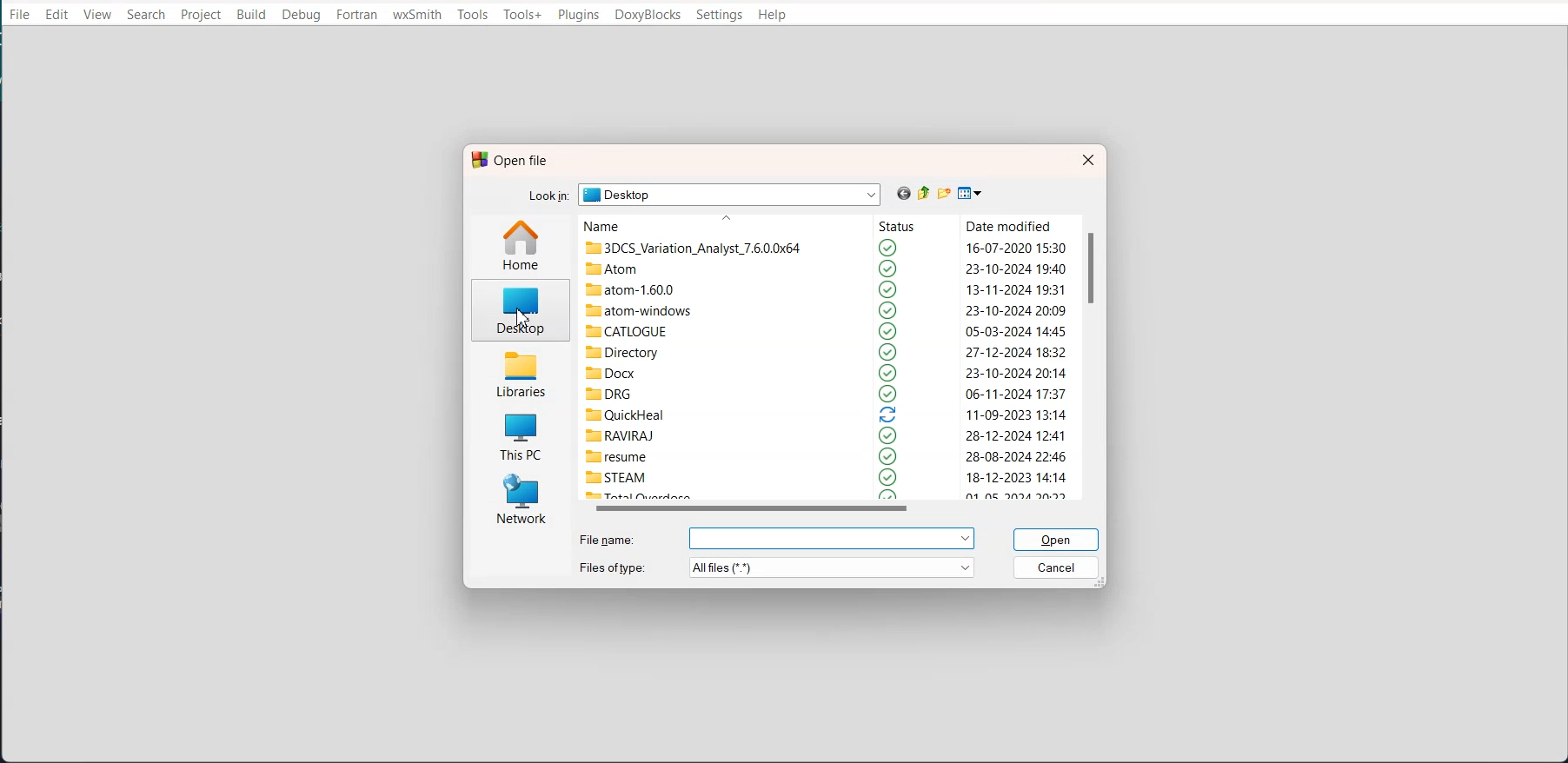 This screenshot has height=763, width=1568. Describe the element at coordinates (971, 194) in the screenshot. I see `View menu` at that location.